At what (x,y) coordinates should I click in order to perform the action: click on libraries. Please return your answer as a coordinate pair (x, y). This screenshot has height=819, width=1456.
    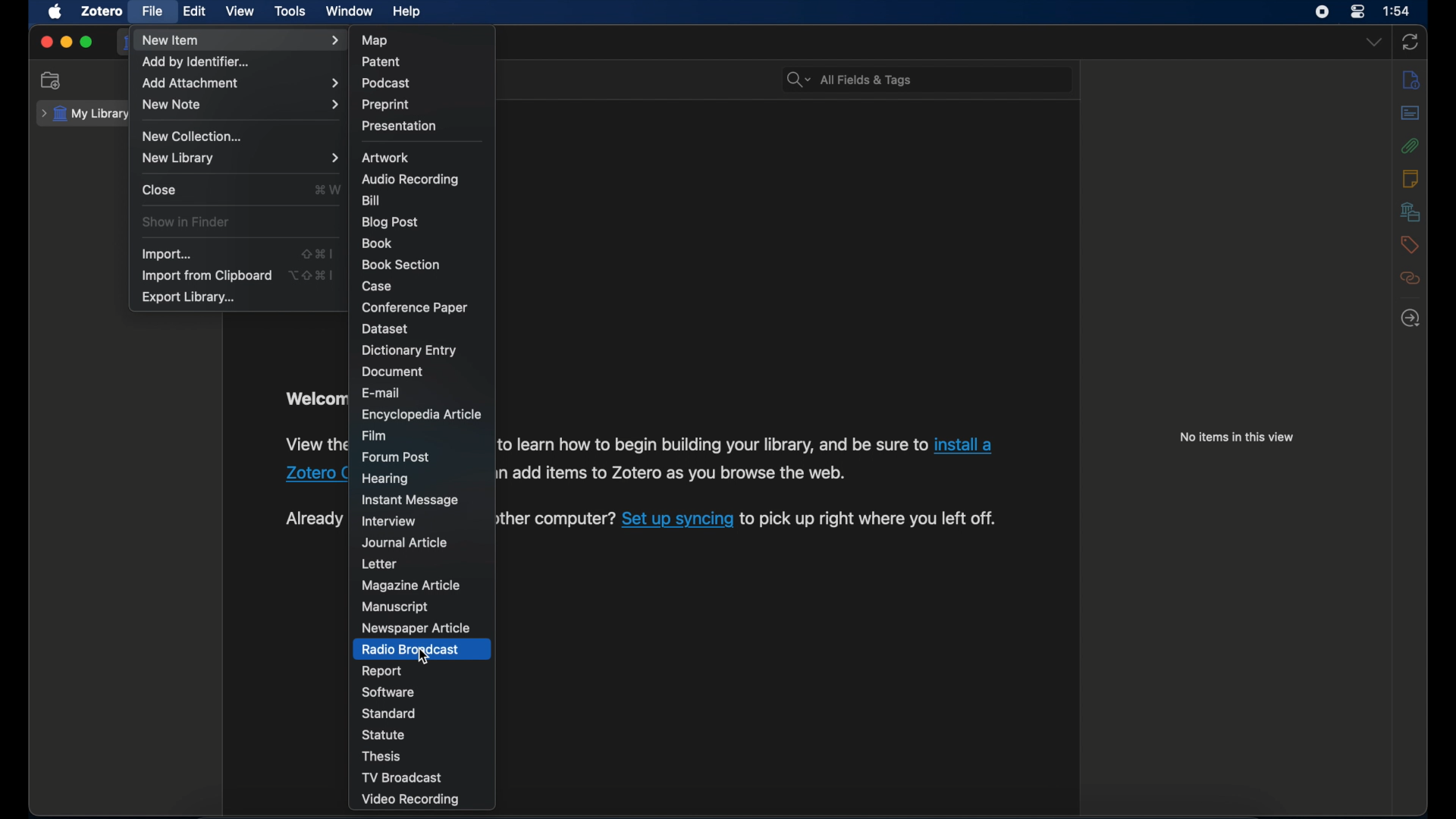
    Looking at the image, I should click on (1410, 212).